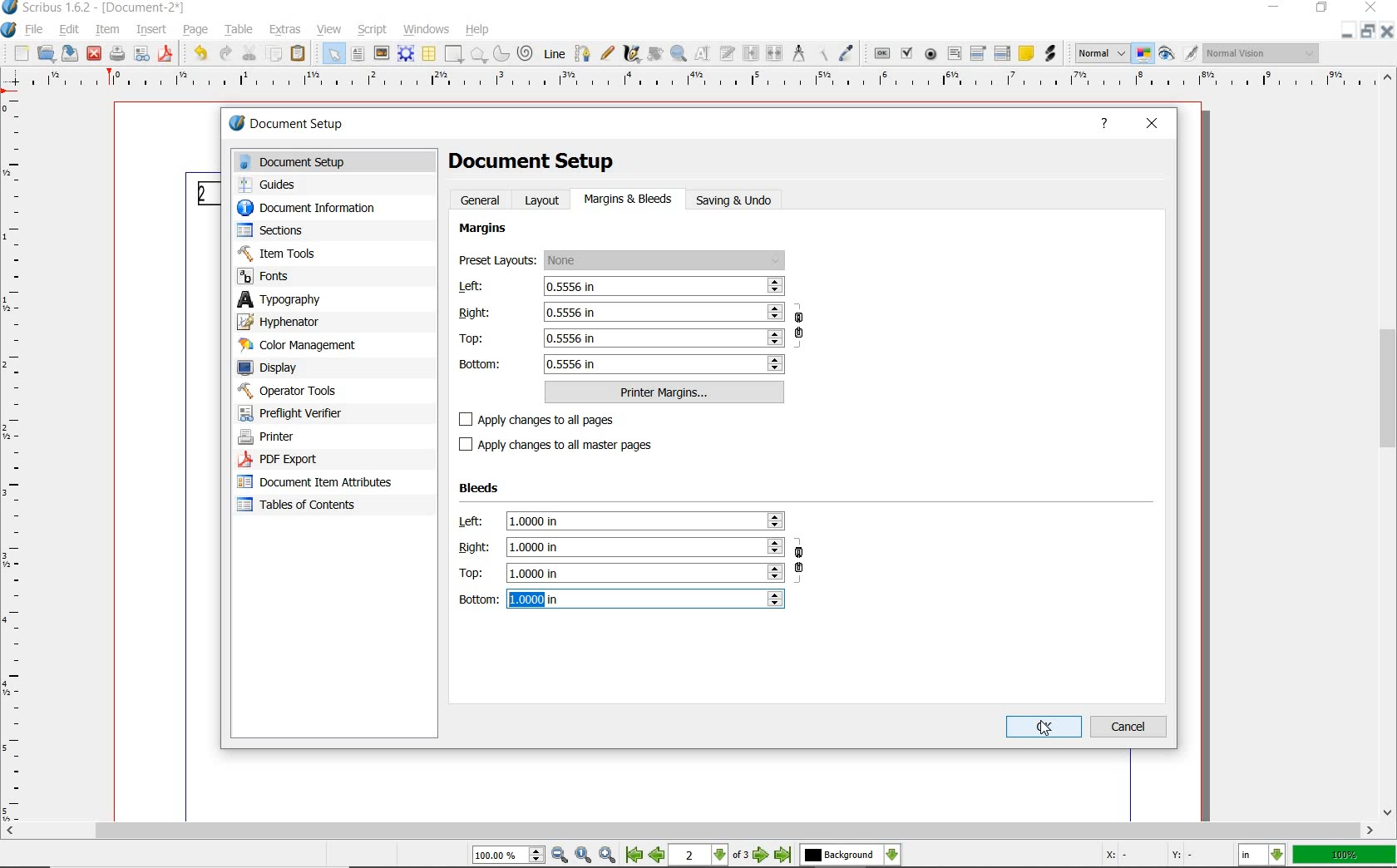 Image resolution: width=1397 pixels, height=868 pixels. I want to click on preflight verifier, so click(143, 54).